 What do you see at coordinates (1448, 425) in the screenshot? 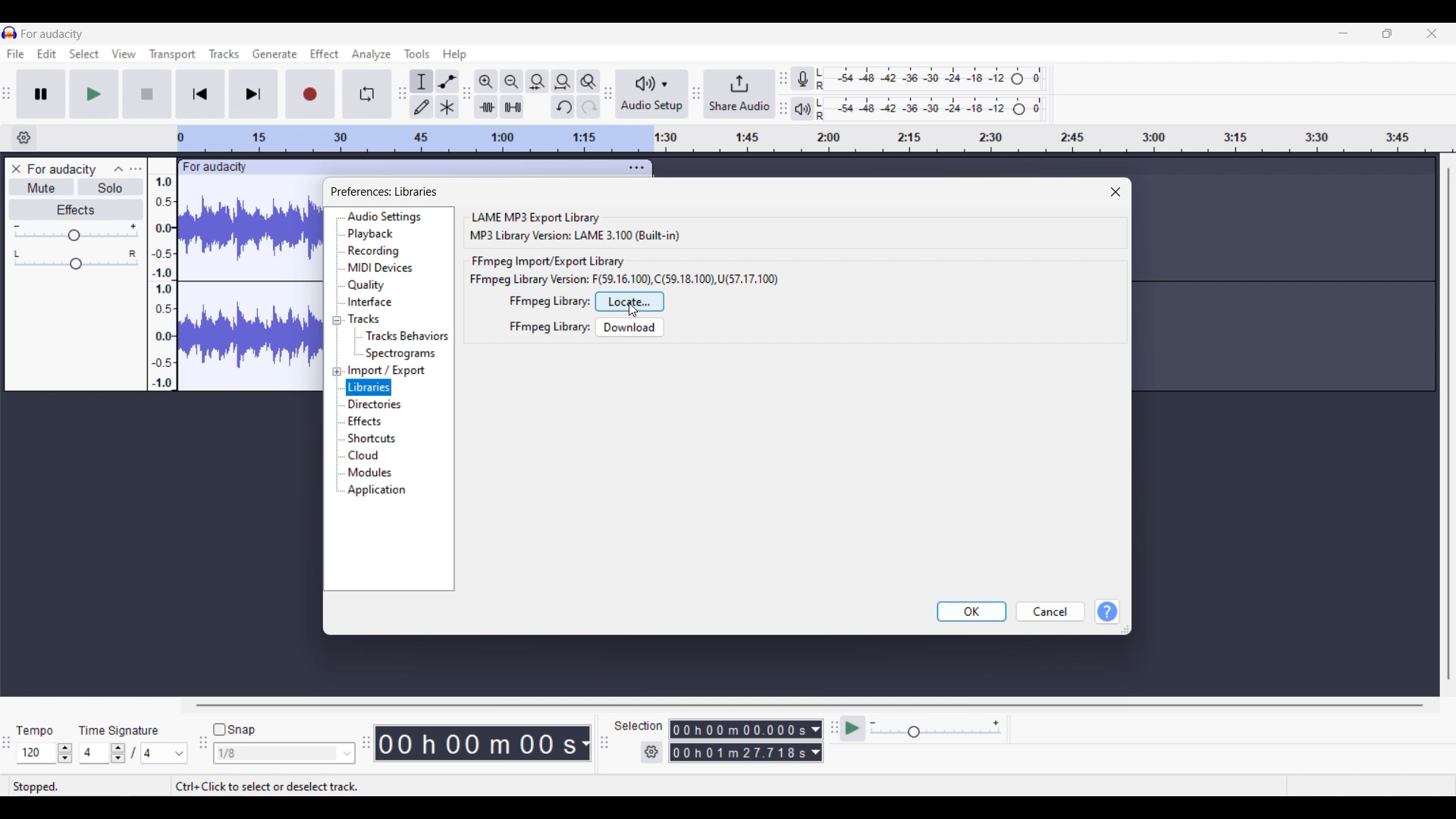
I see `Vertical slide bar` at bounding box center [1448, 425].